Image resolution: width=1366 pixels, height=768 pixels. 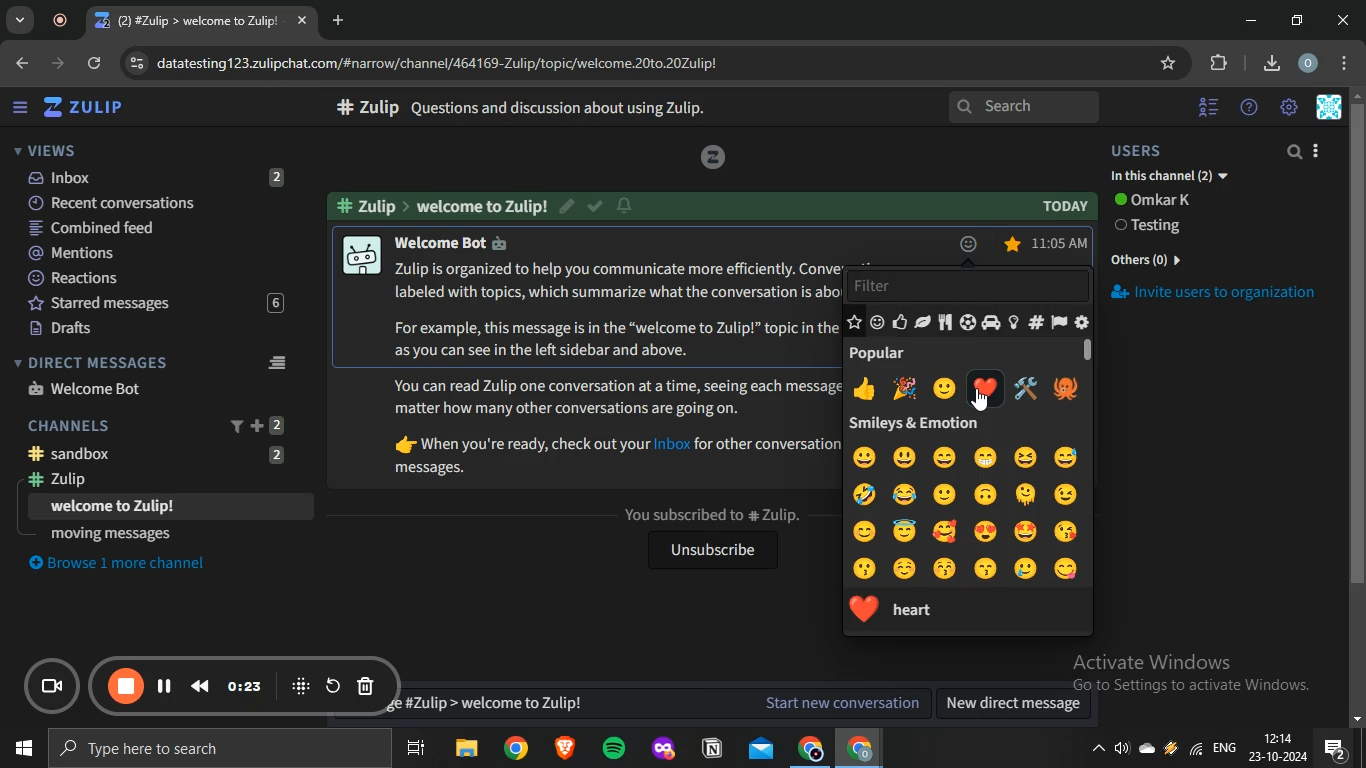 What do you see at coordinates (1296, 153) in the screenshot?
I see `search` at bounding box center [1296, 153].